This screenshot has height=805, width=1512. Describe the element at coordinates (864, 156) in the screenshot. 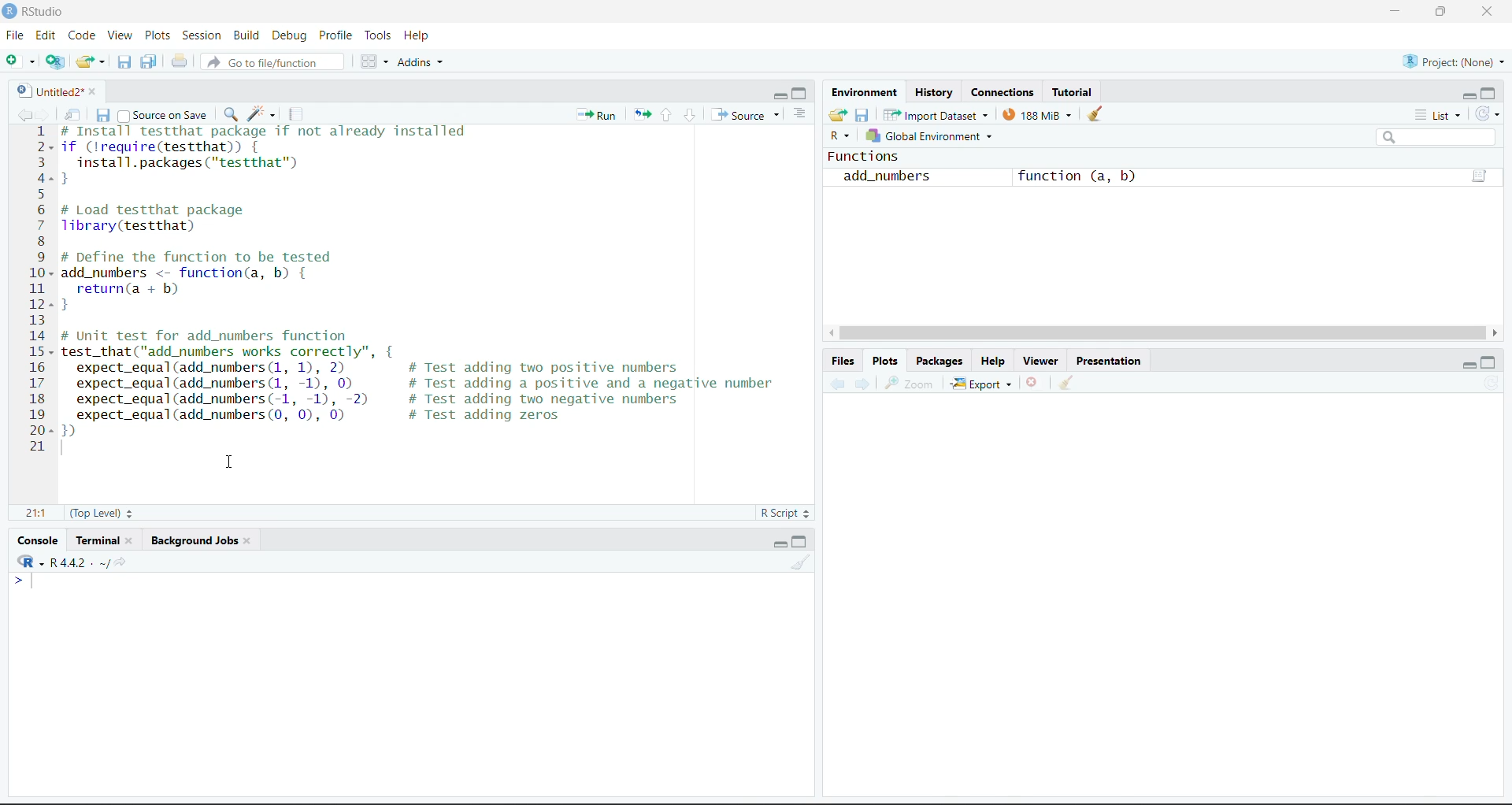

I see `Functions` at that location.